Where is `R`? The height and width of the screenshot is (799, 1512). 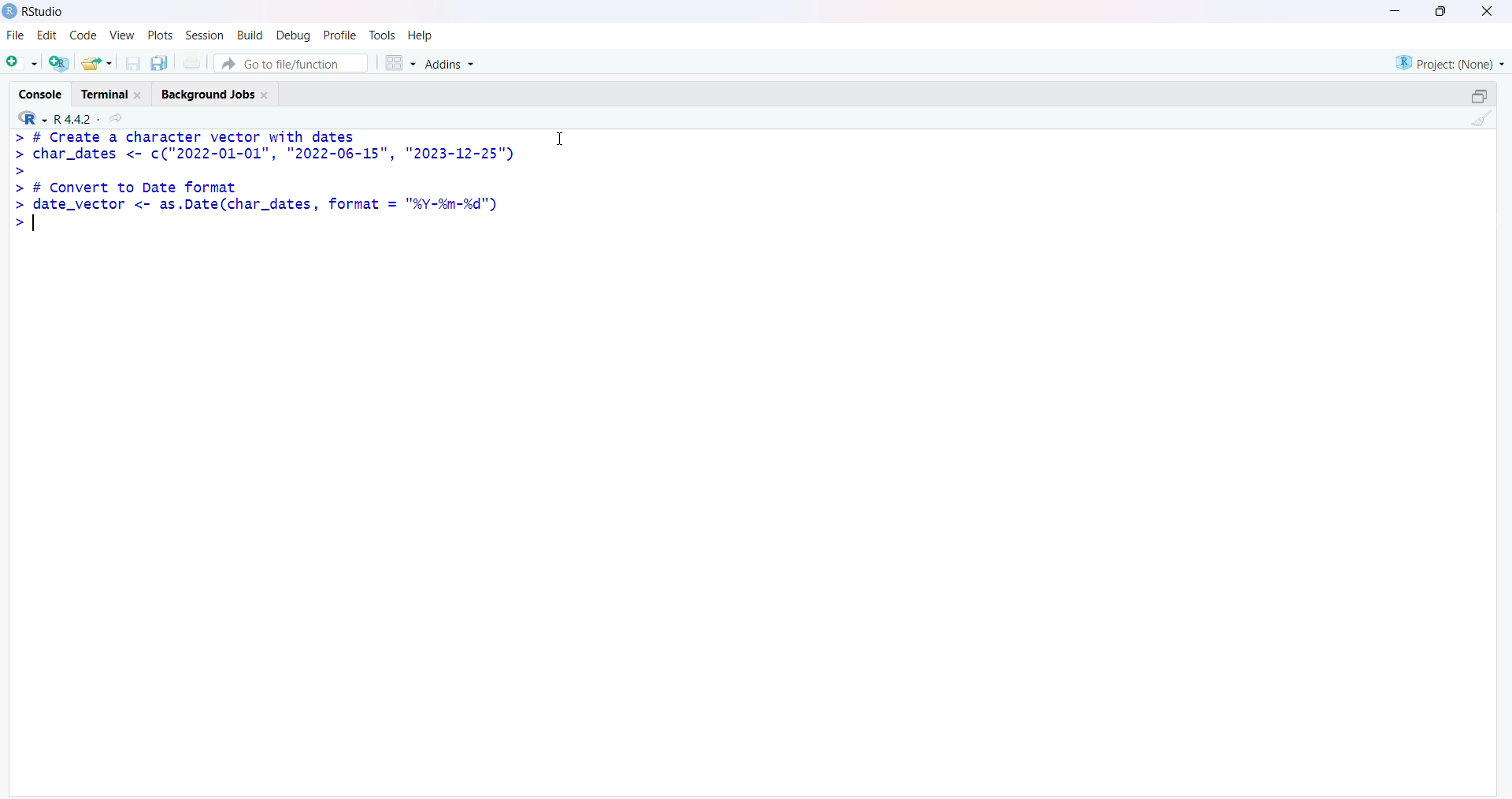
R is located at coordinates (27, 117).